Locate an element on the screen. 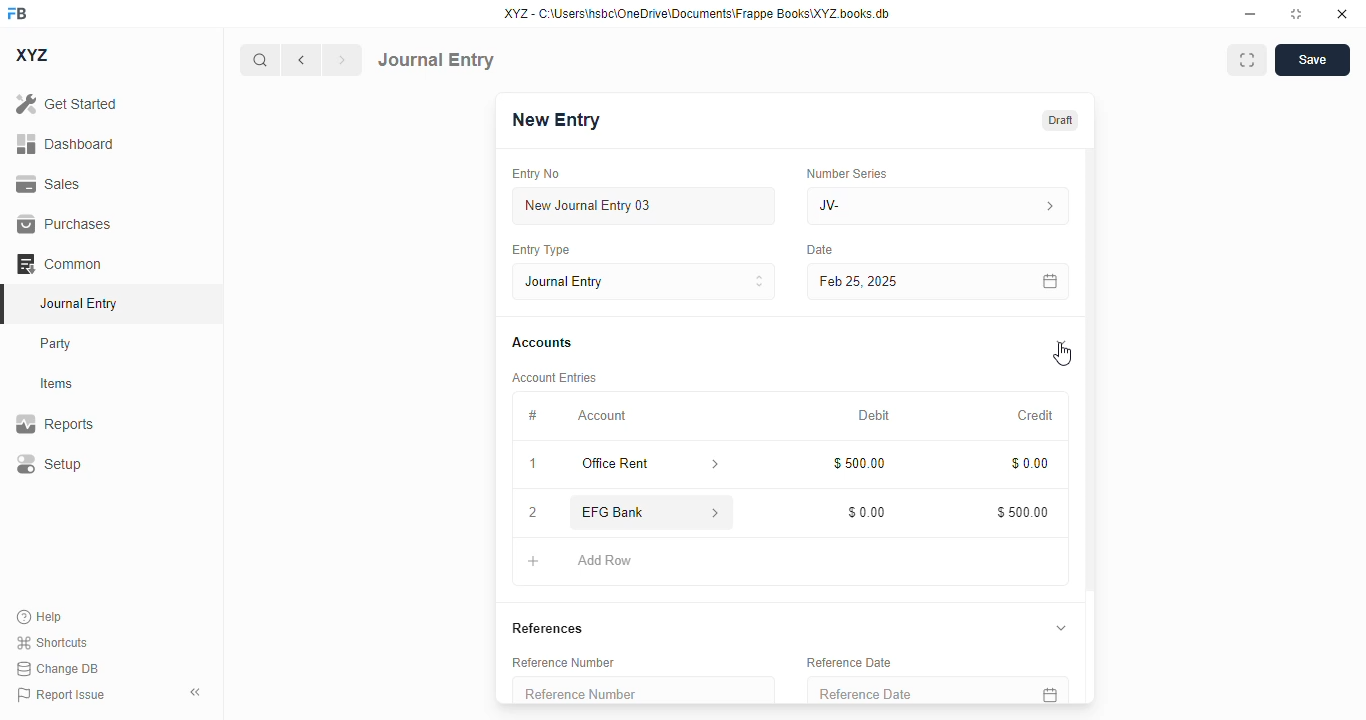 The width and height of the screenshot is (1366, 720). account information is located at coordinates (716, 465).